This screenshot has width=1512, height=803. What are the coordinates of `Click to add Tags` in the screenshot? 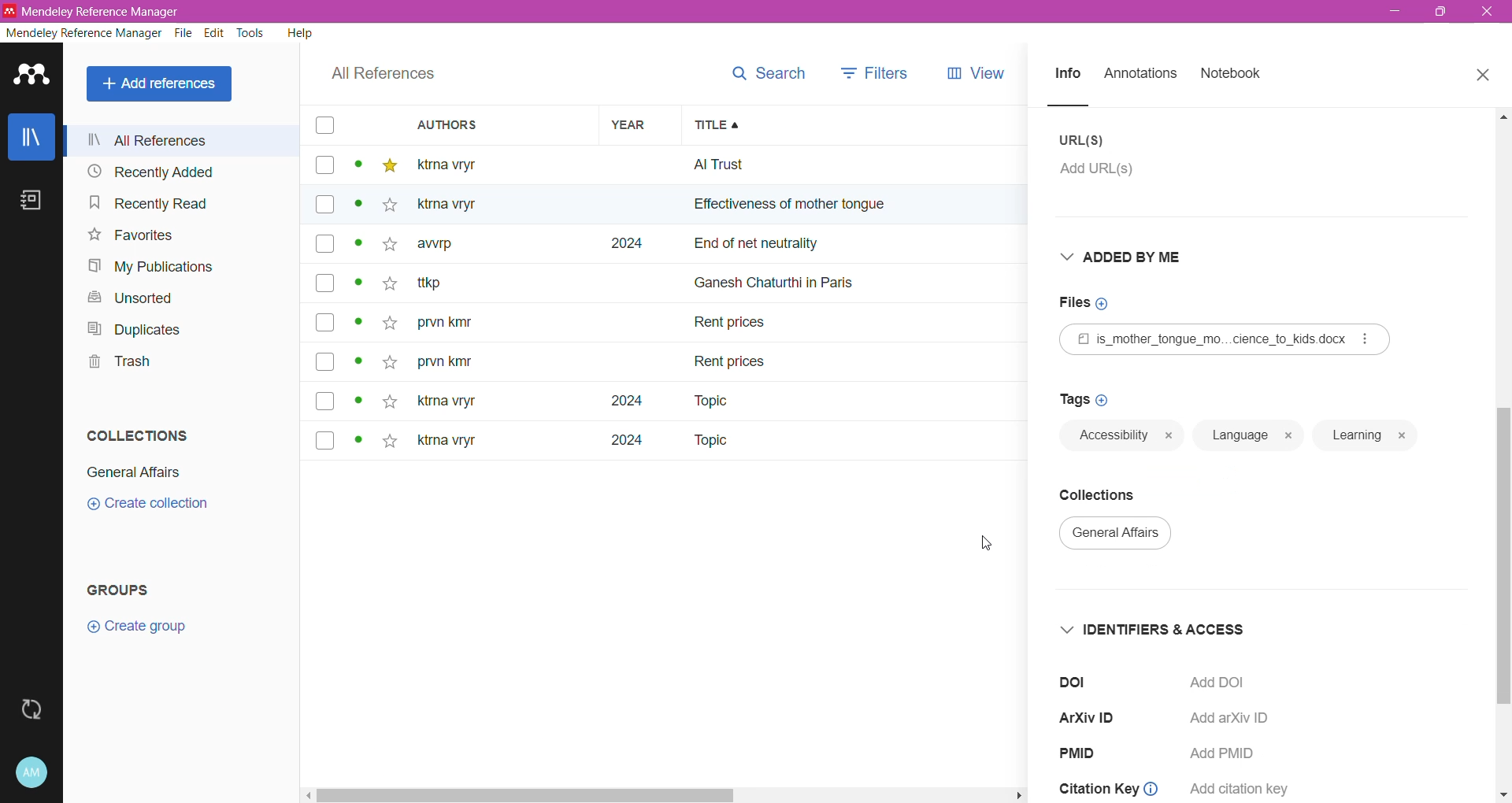 It's located at (1085, 397).